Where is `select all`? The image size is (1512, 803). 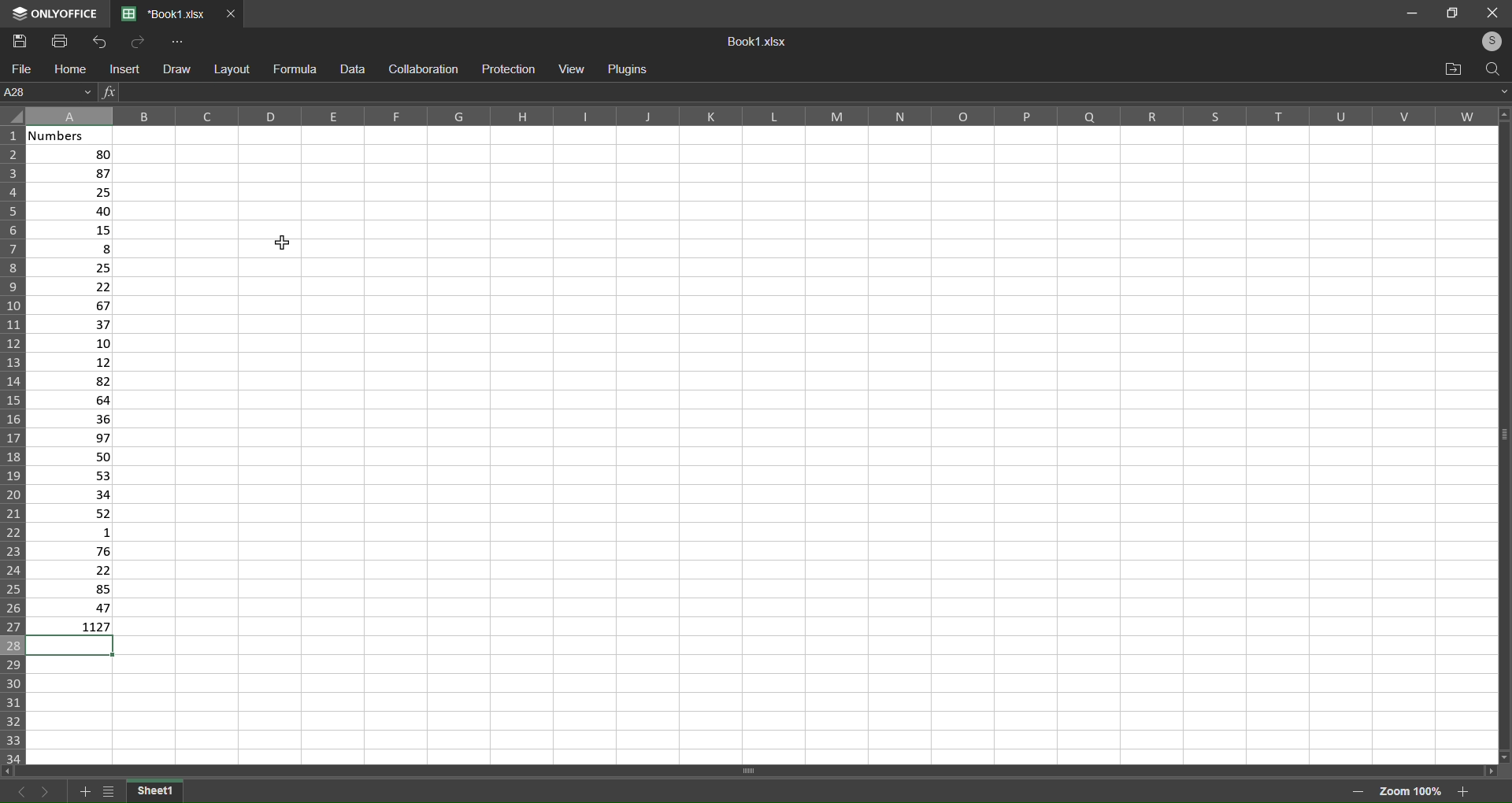 select all is located at coordinates (17, 117).